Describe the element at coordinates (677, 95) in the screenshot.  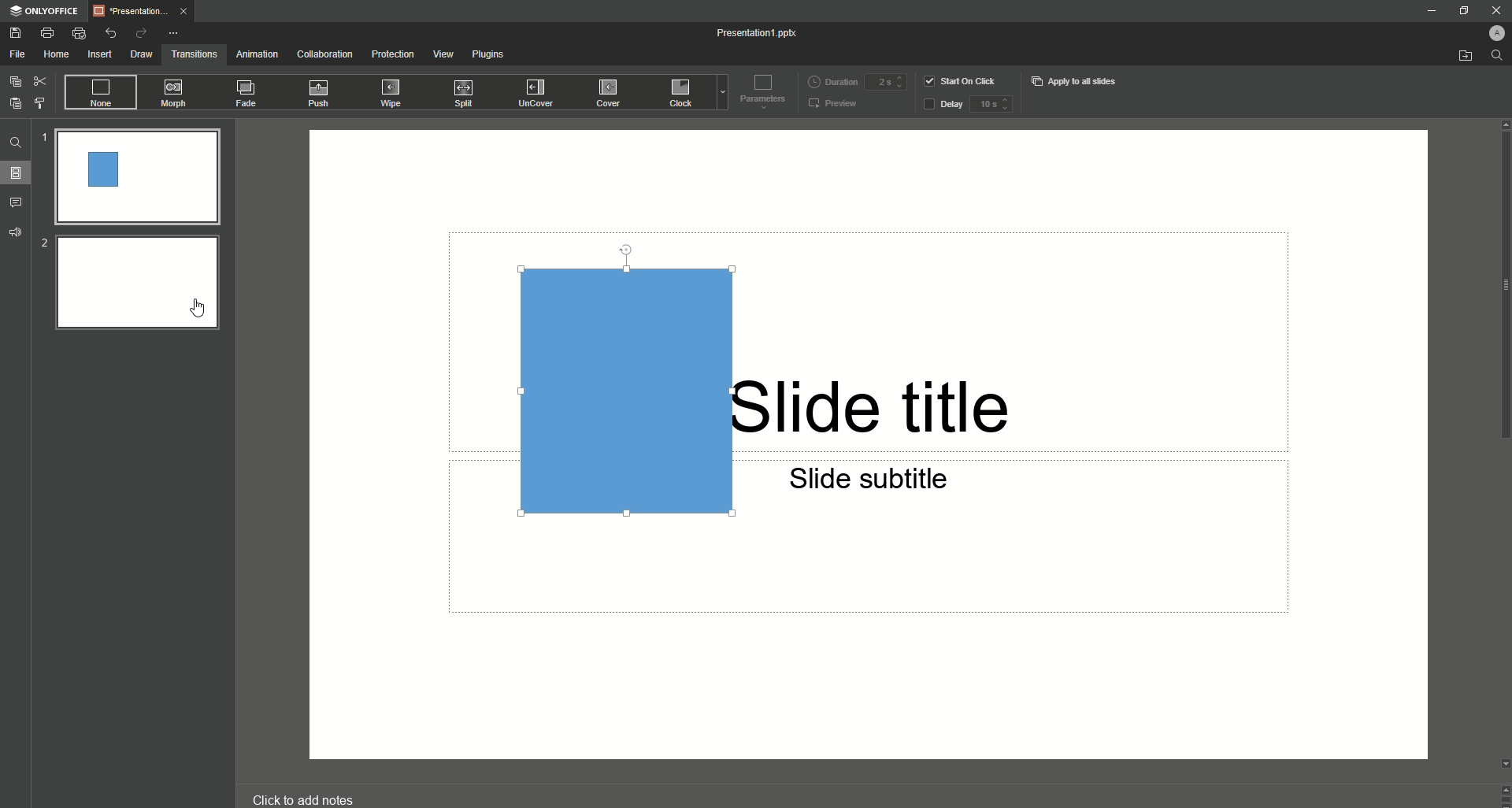
I see `Clock` at that location.